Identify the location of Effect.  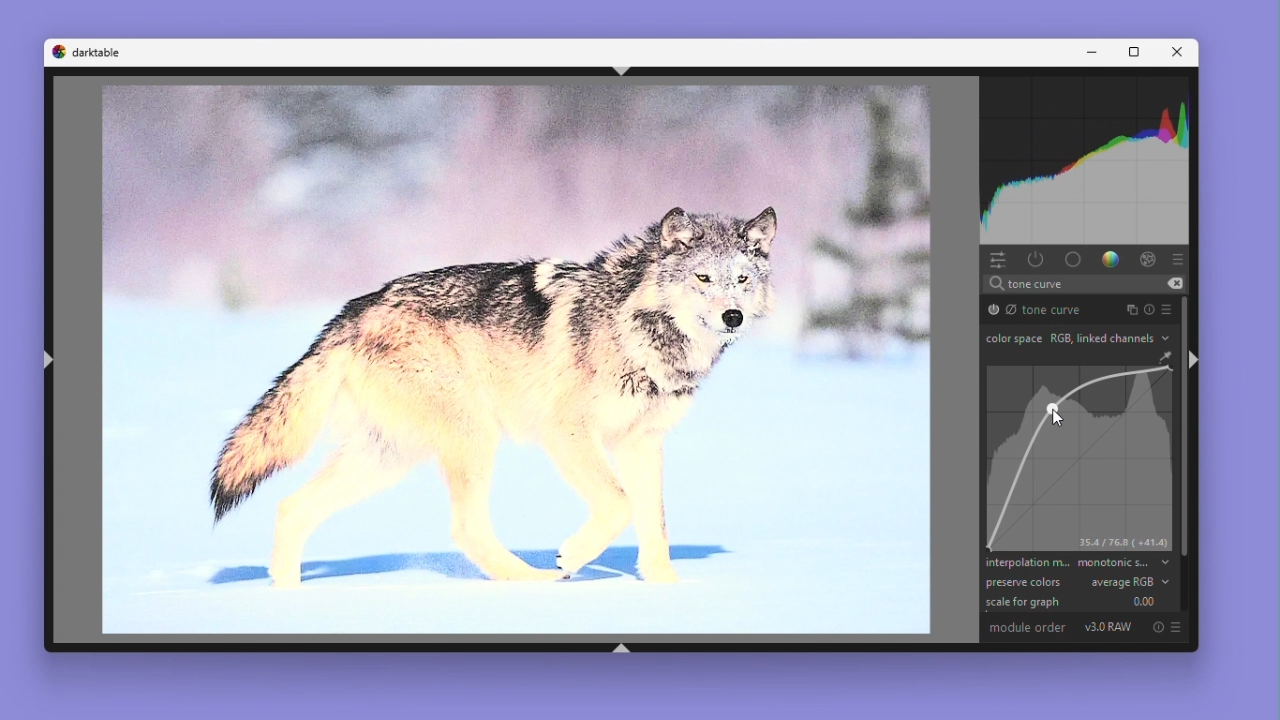
(1145, 260).